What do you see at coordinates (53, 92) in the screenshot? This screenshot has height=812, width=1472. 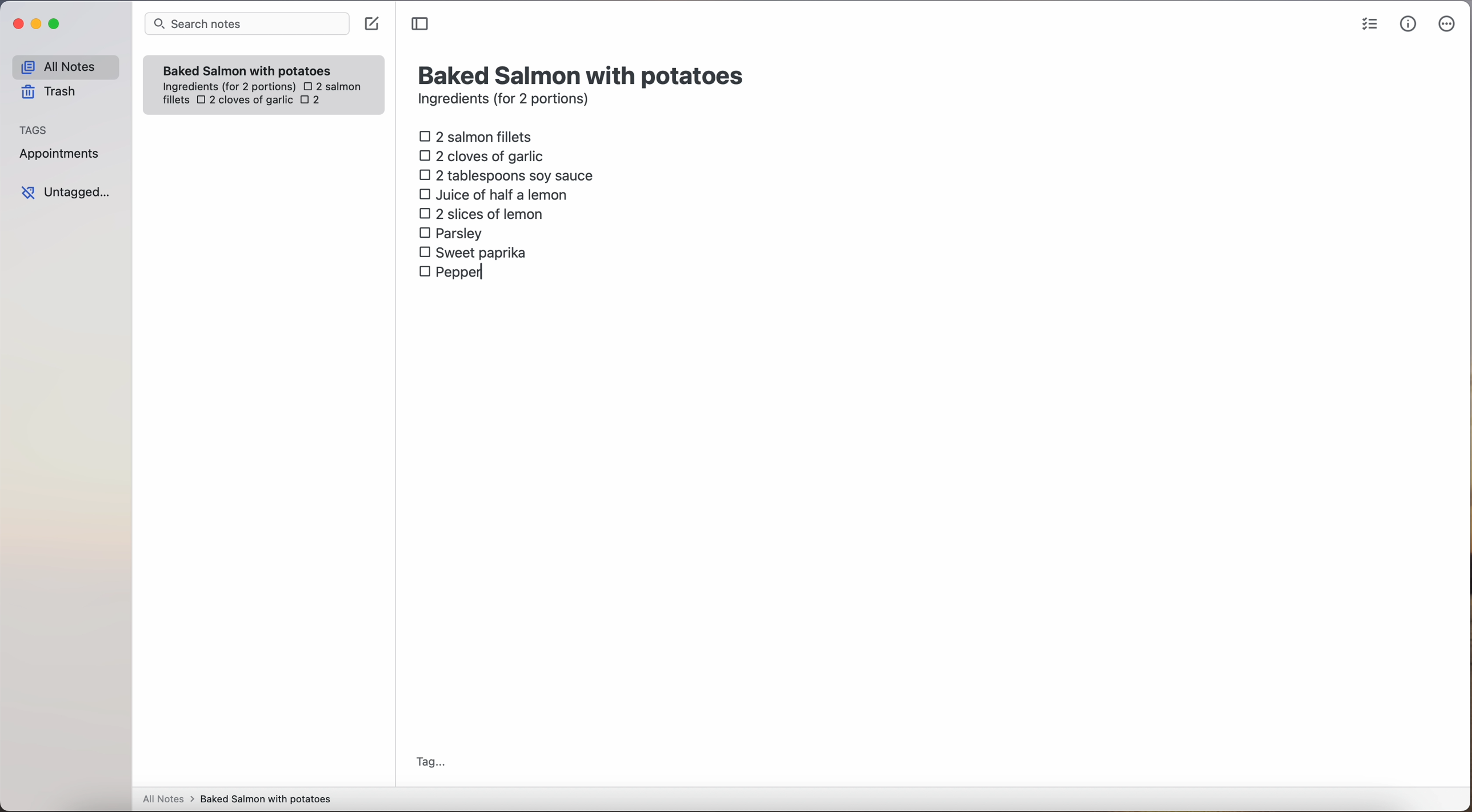 I see `trash` at bounding box center [53, 92].